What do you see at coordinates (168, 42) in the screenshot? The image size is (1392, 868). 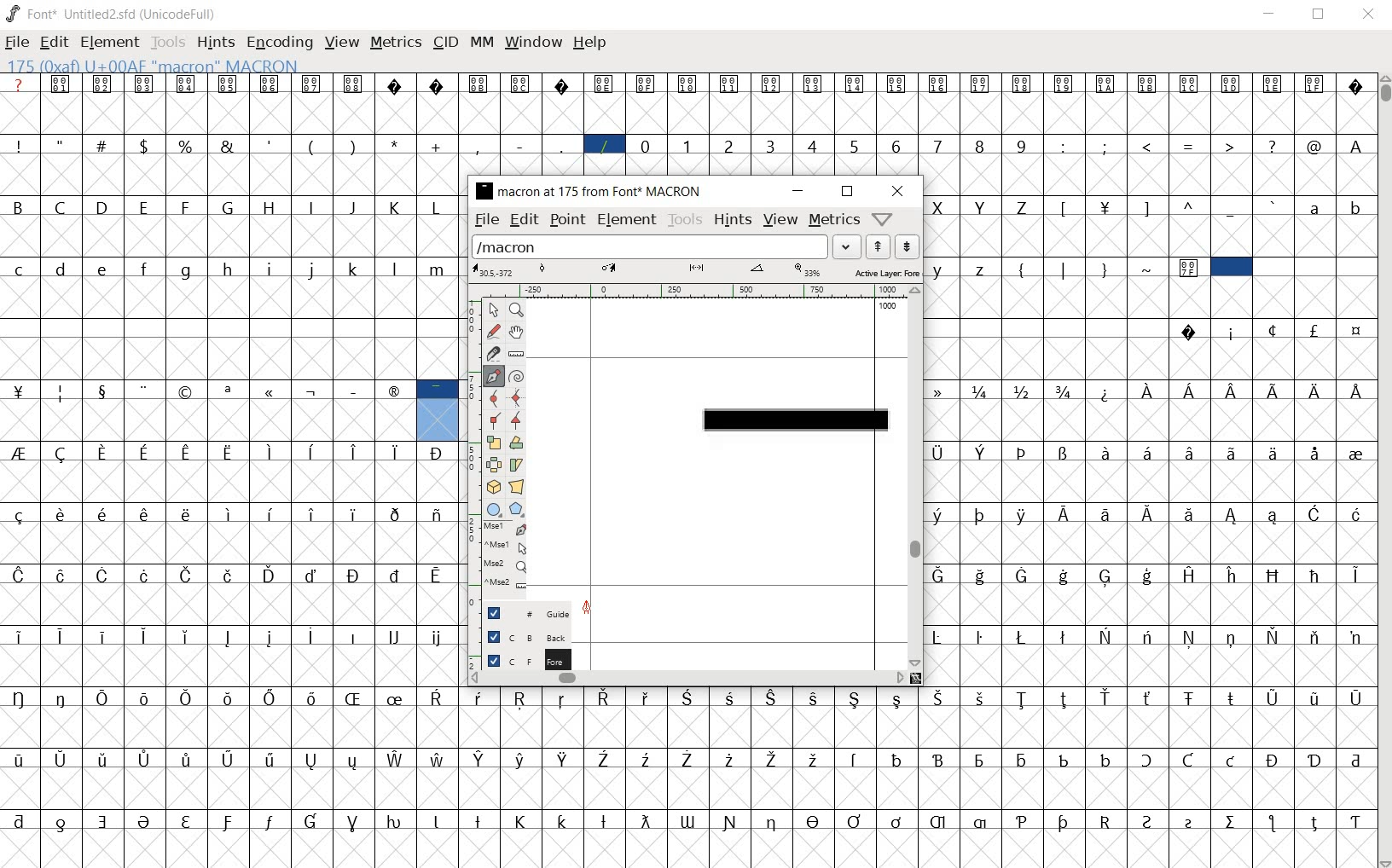 I see `Tools` at bounding box center [168, 42].